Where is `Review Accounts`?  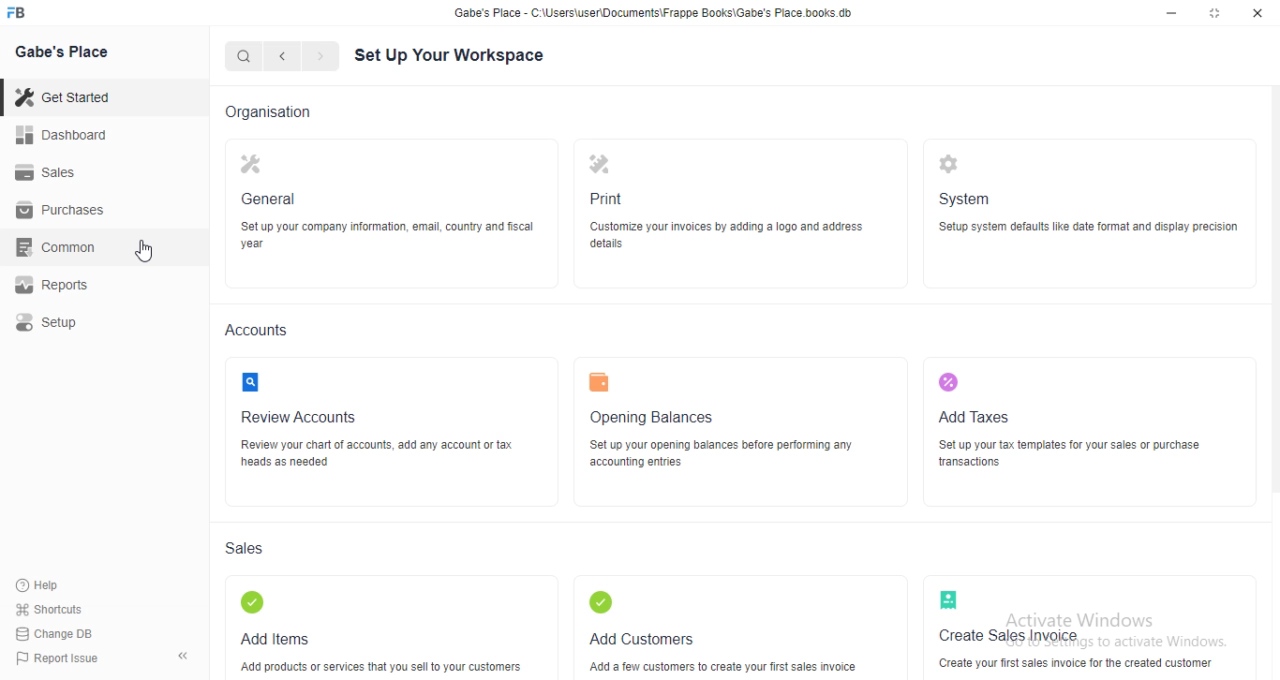
Review Accounts is located at coordinates (300, 418).